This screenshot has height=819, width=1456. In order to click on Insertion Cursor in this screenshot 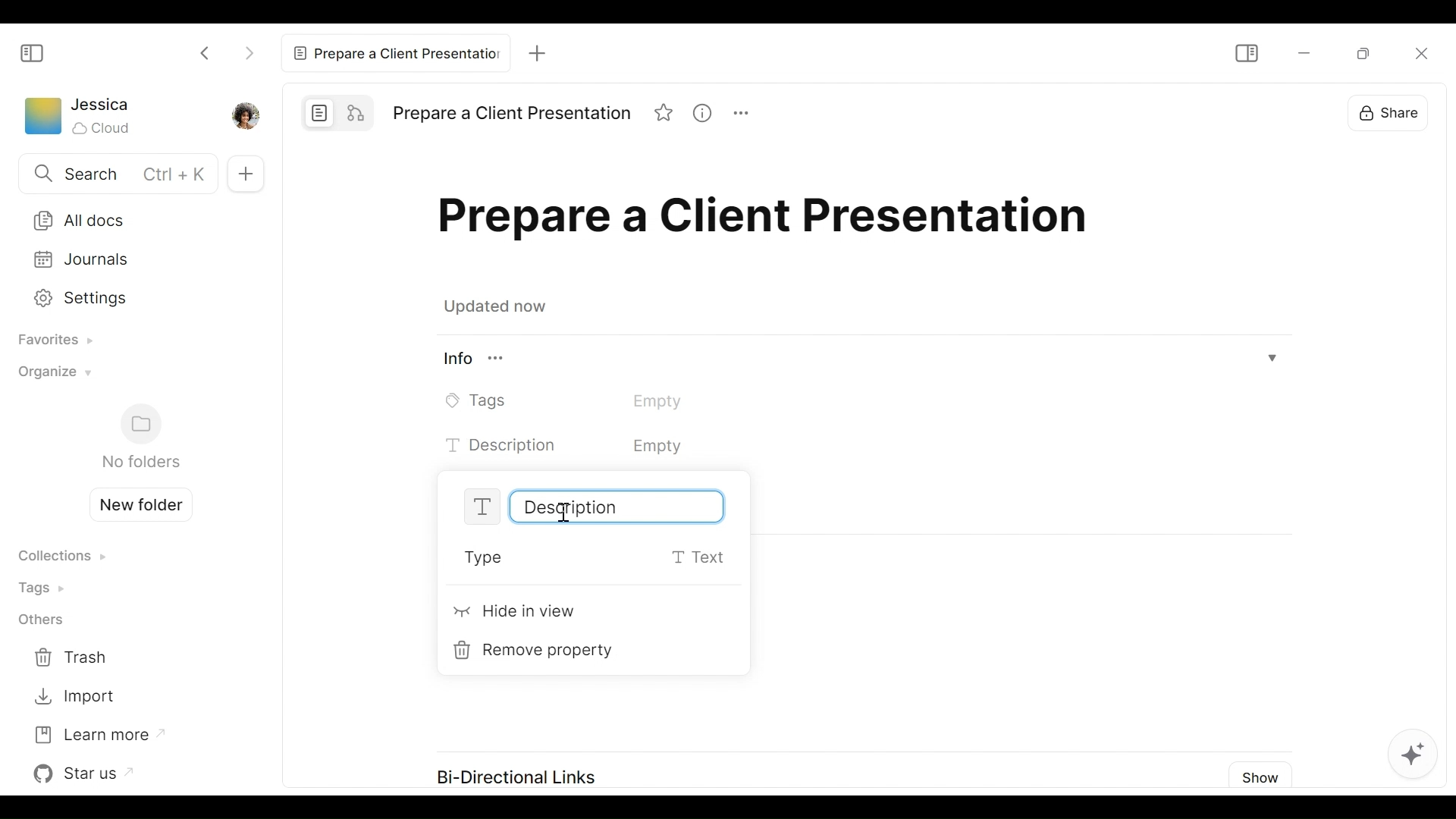, I will do `click(563, 513)`.